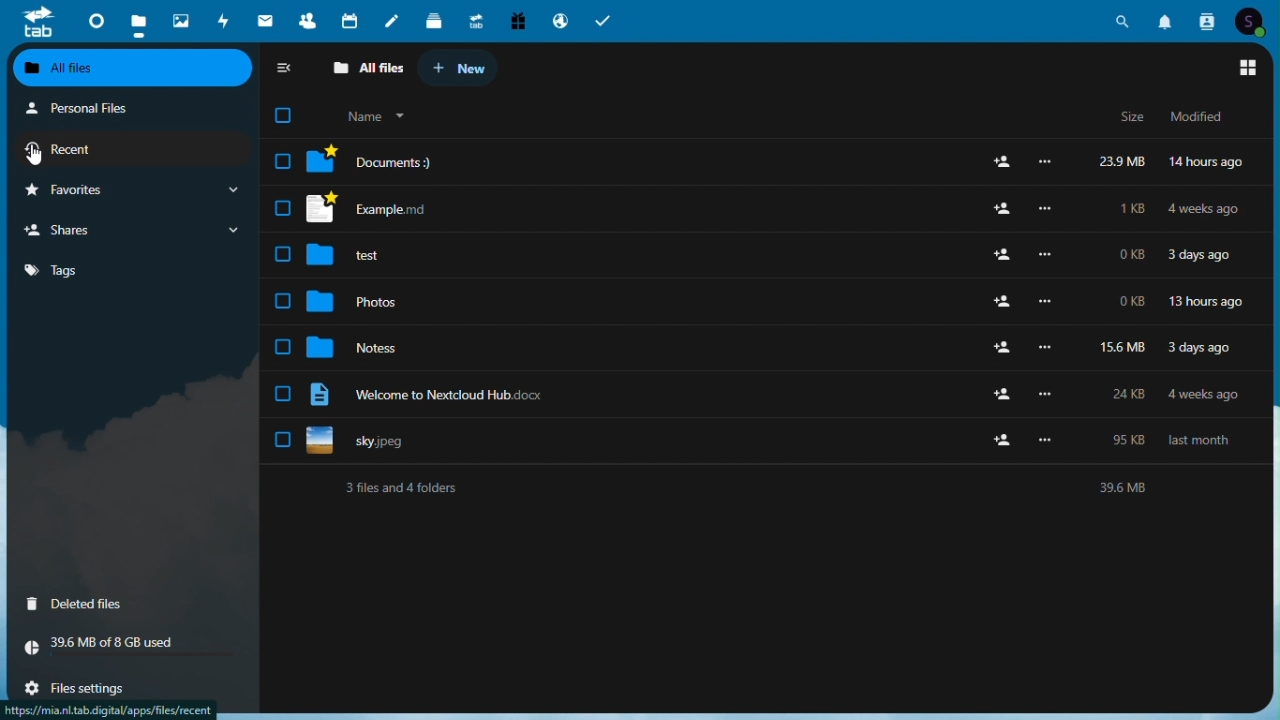 This screenshot has width=1280, height=720. What do you see at coordinates (433, 20) in the screenshot?
I see `deck` at bounding box center [433, 20].